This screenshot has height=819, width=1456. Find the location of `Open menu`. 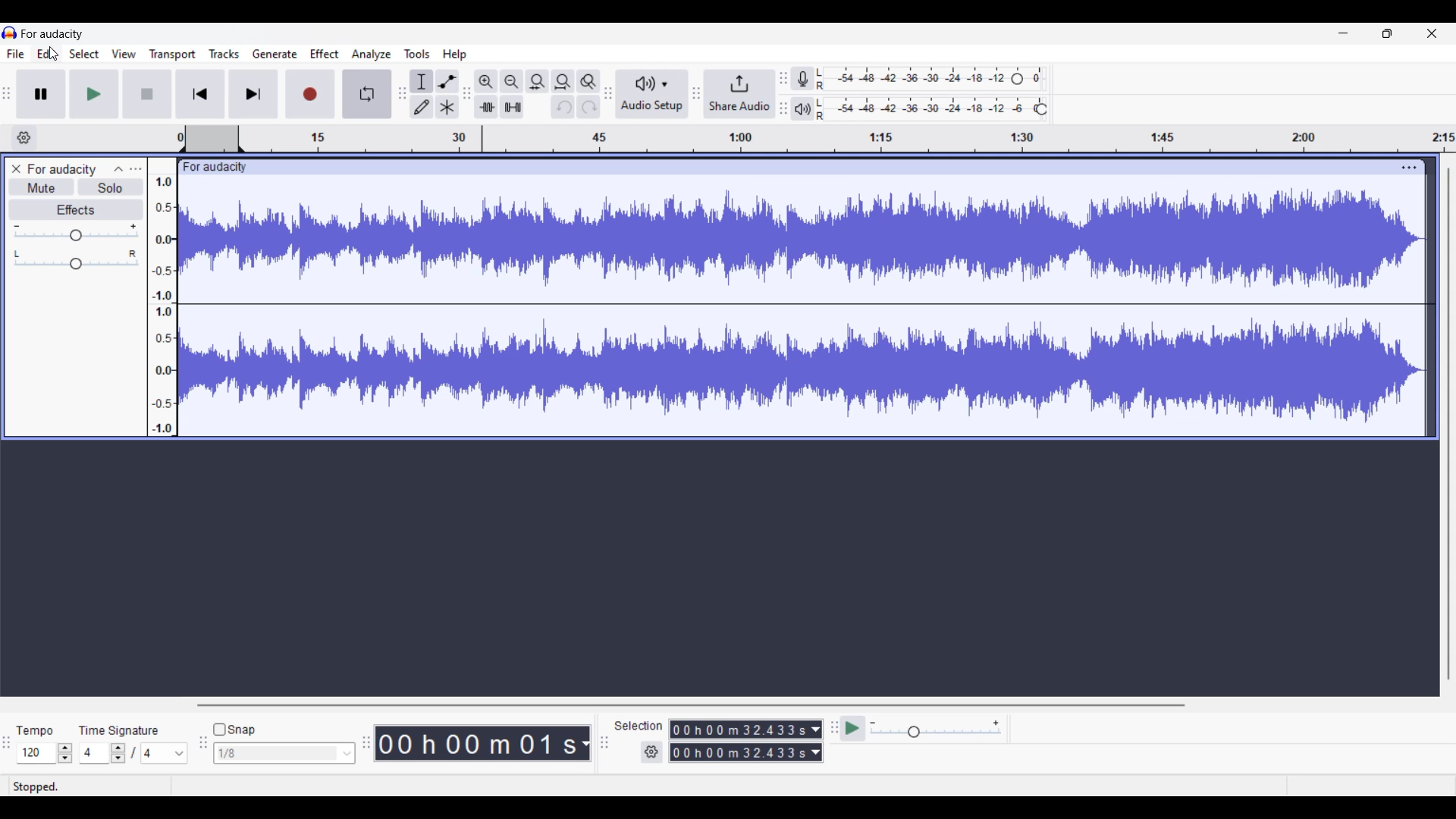

Open menu is located at coordinates (136, 169).